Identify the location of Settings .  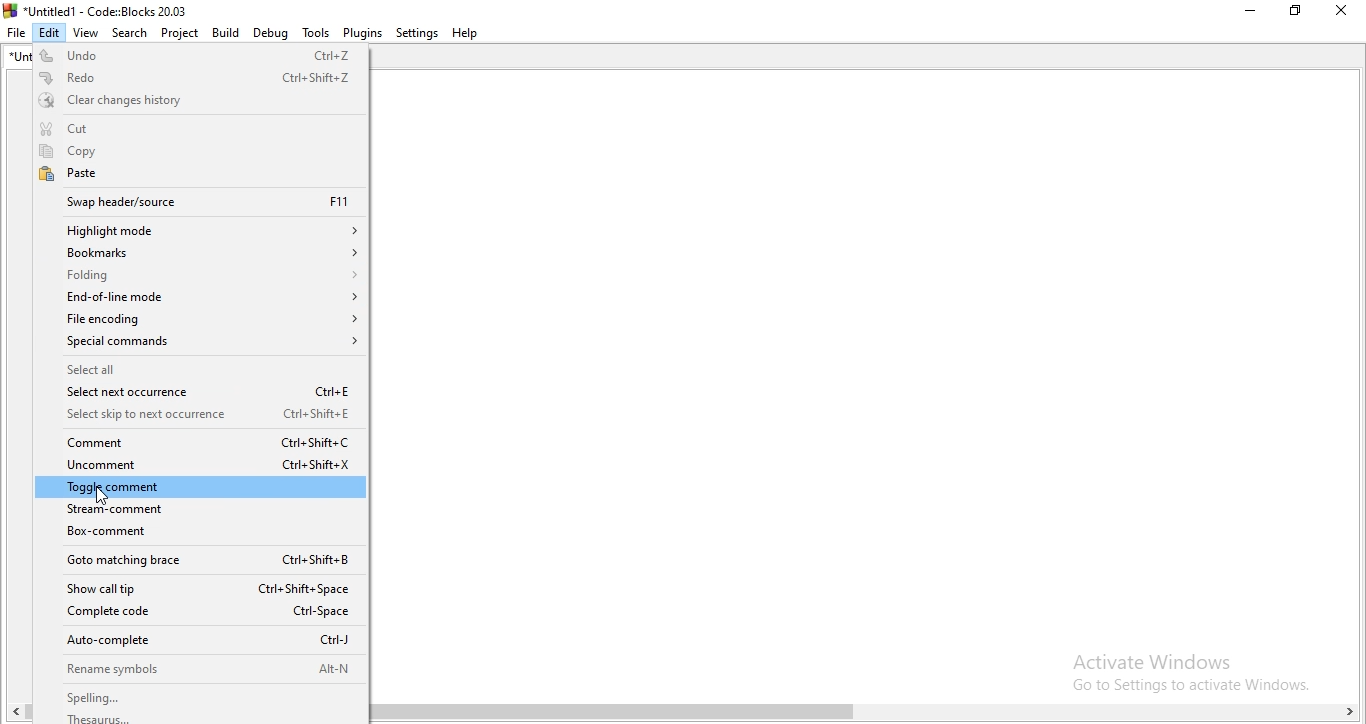
(417, 34).